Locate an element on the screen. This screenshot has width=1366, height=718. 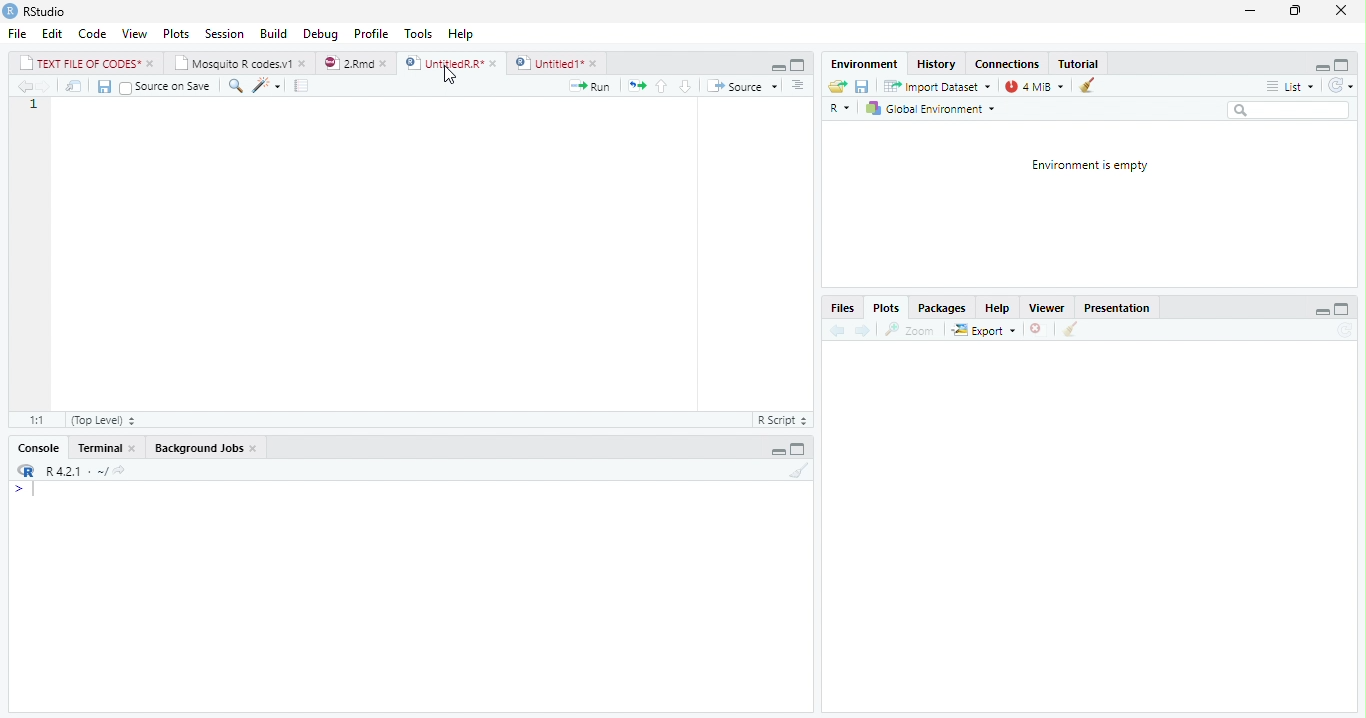
connections is located at coordinates (1009, 64).